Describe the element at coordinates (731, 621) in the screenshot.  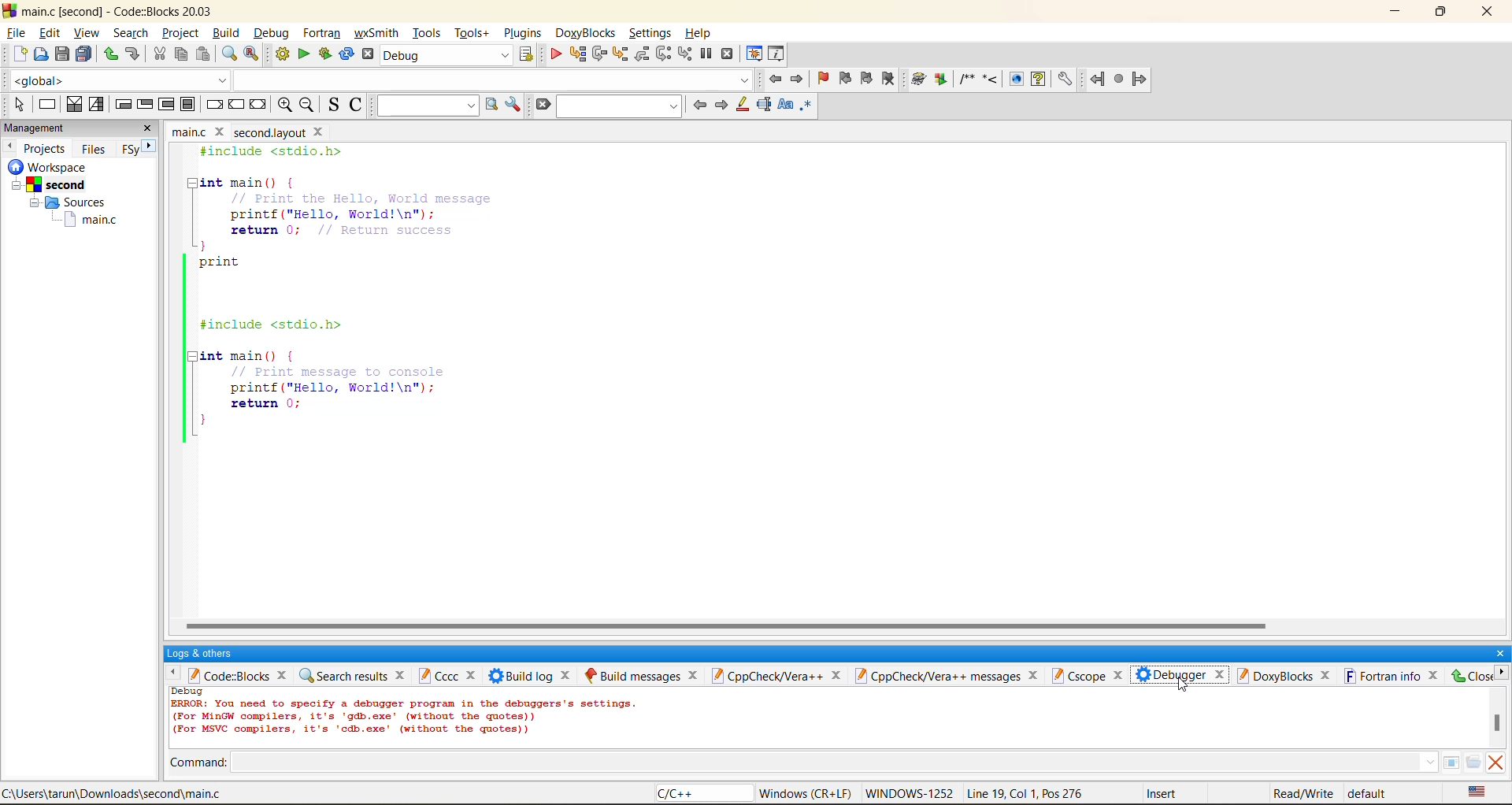
I see `horizontal scroll bar` at that location.